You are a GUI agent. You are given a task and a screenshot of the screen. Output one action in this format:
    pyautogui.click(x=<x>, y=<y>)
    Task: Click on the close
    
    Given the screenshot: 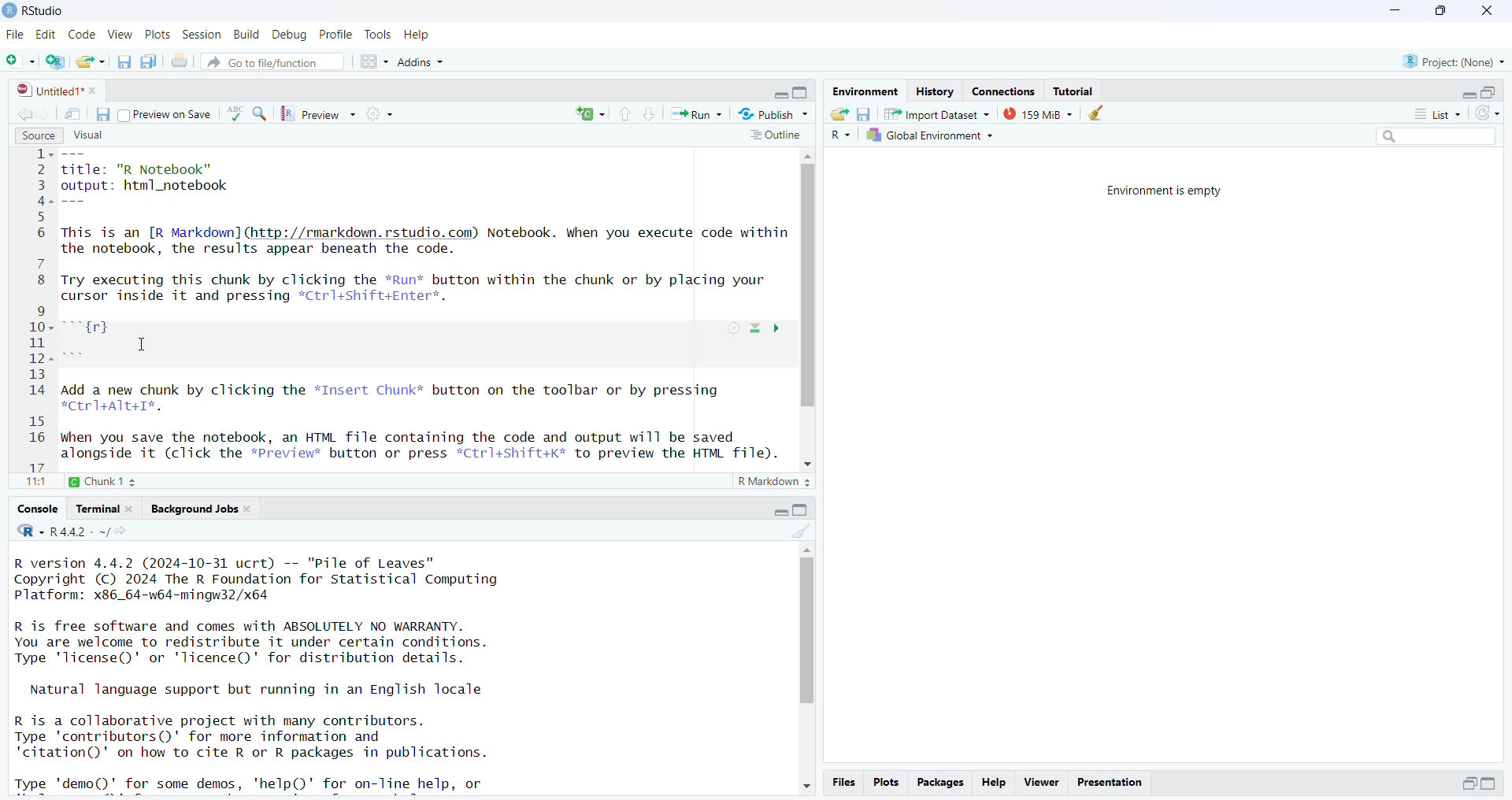 What is the action you would take?
    pyautogui.click(x=1484, y=10)
    